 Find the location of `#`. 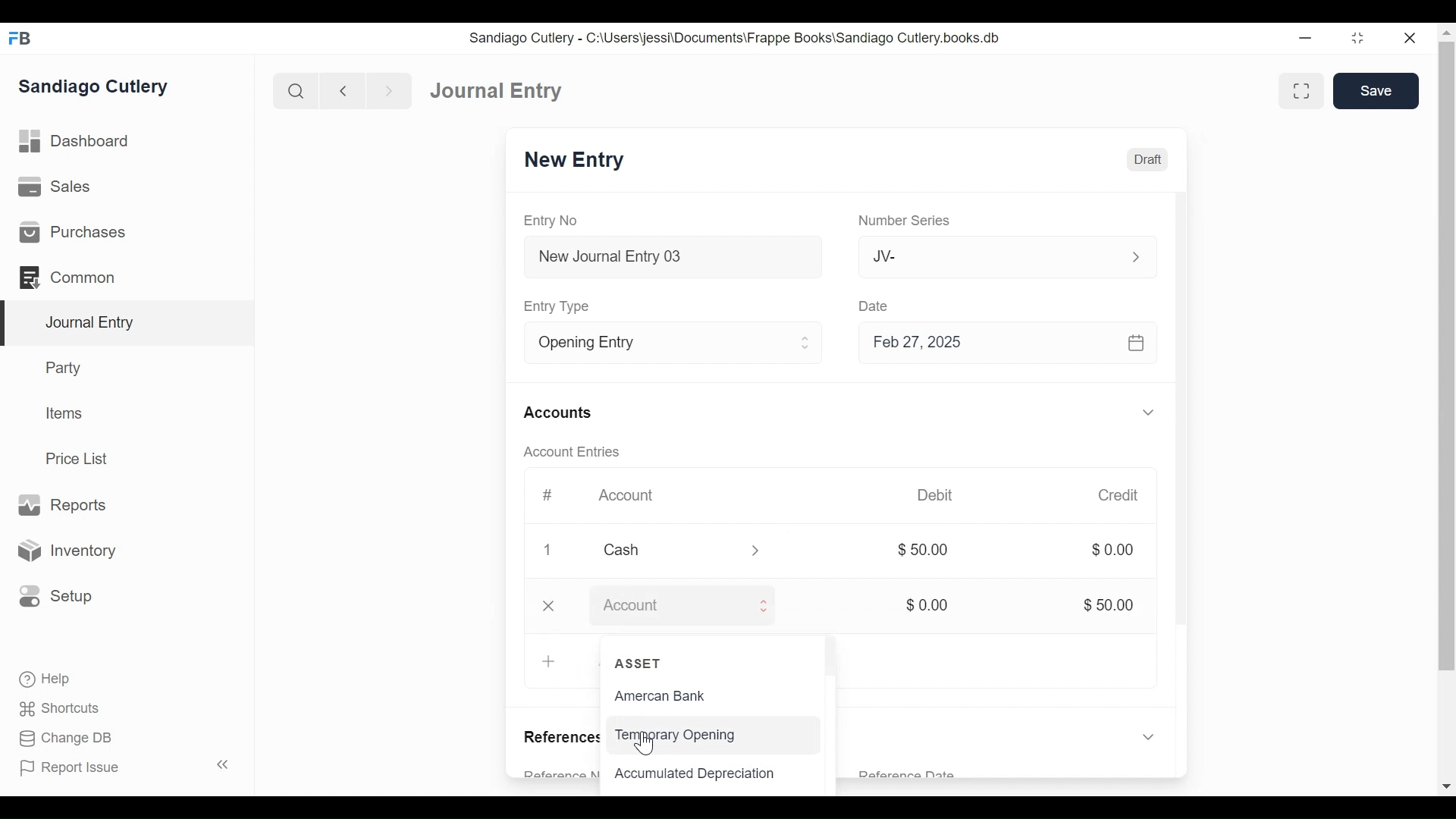

# is located at coordinates (549, 494).